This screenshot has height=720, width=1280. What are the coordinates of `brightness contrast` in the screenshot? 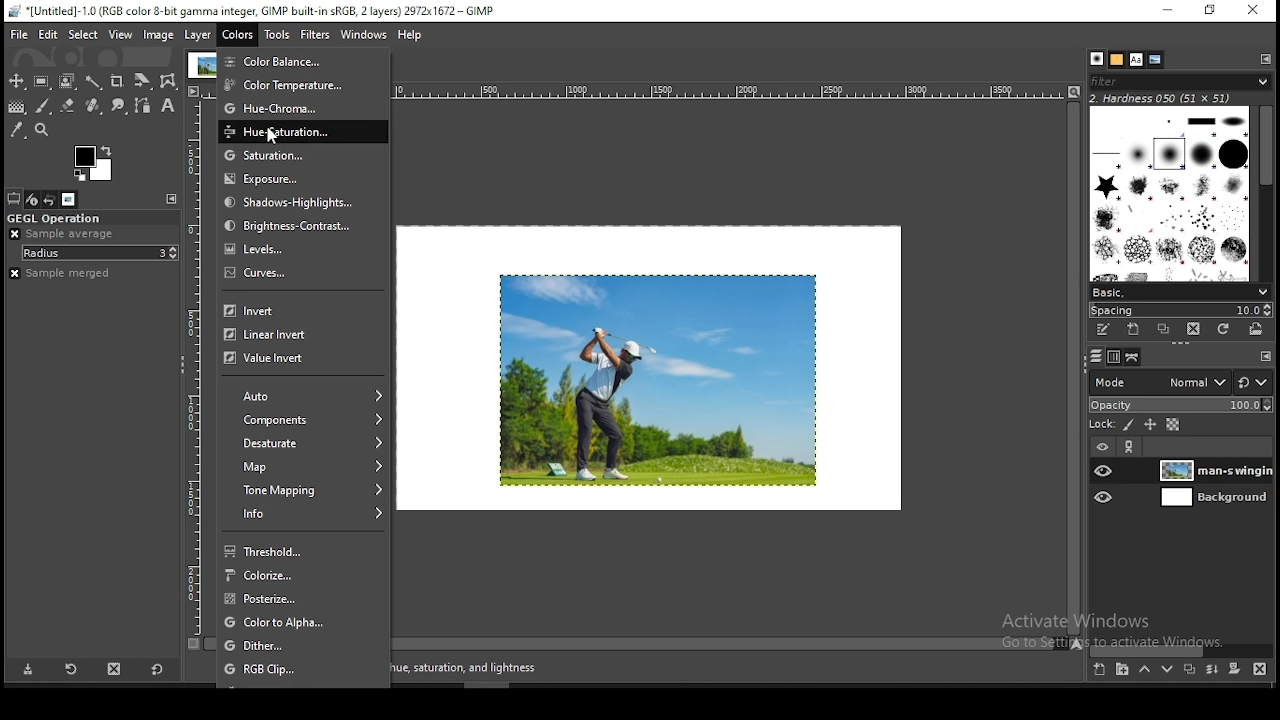 It's located at (302, 225).